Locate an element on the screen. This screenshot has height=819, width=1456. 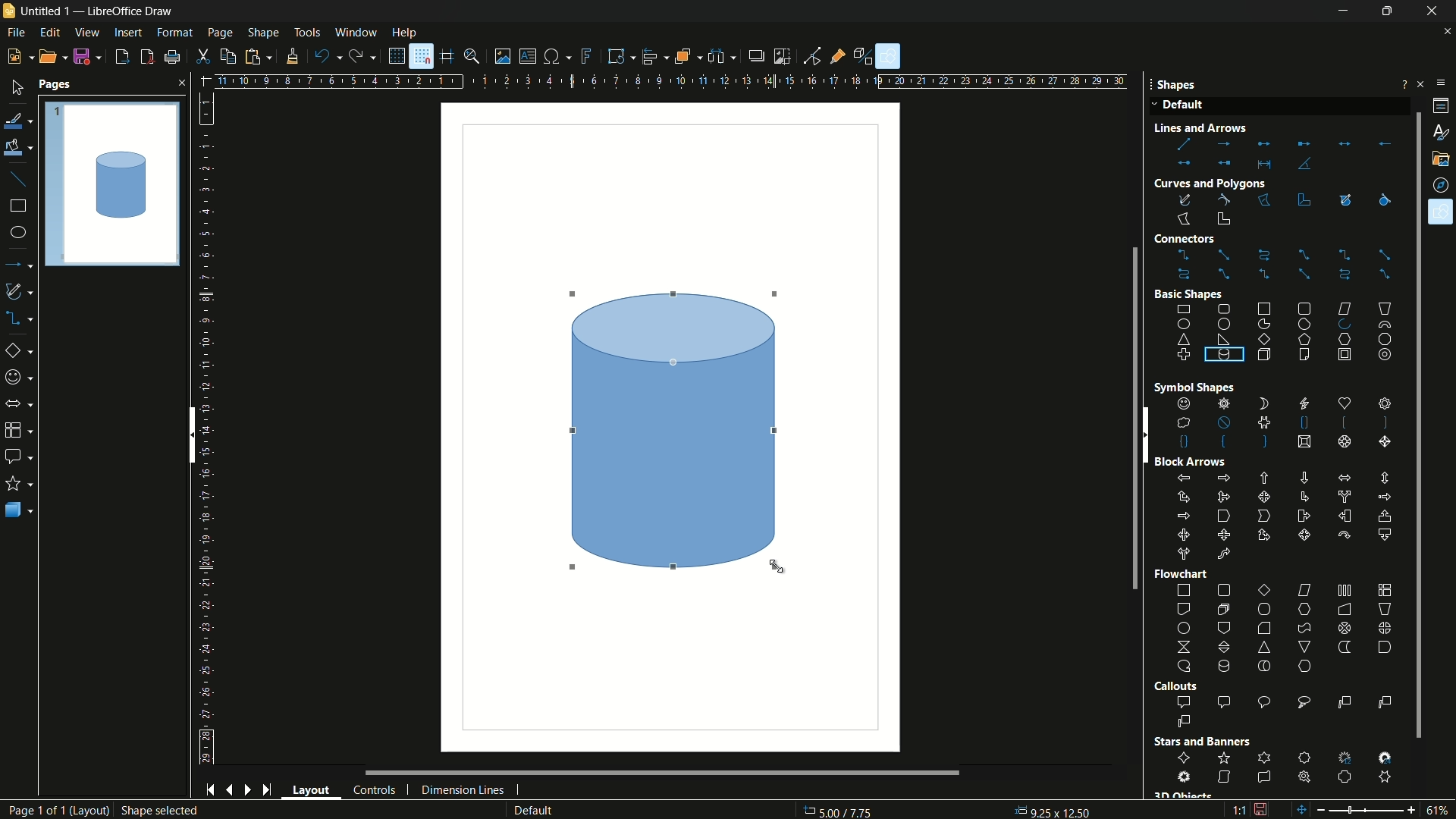
paste is located at coordinates (262, 56).